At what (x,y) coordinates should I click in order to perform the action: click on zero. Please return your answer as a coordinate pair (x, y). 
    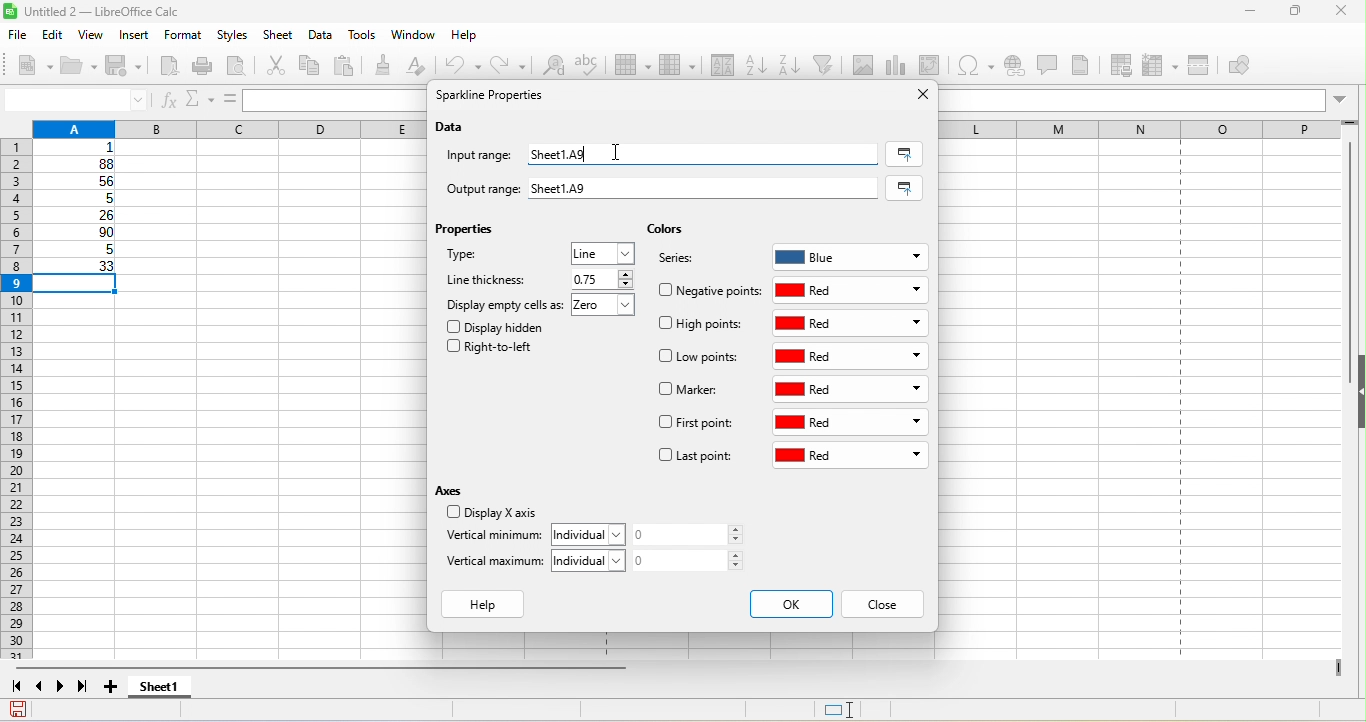
    Looking at the image, I should click on (608, 307).